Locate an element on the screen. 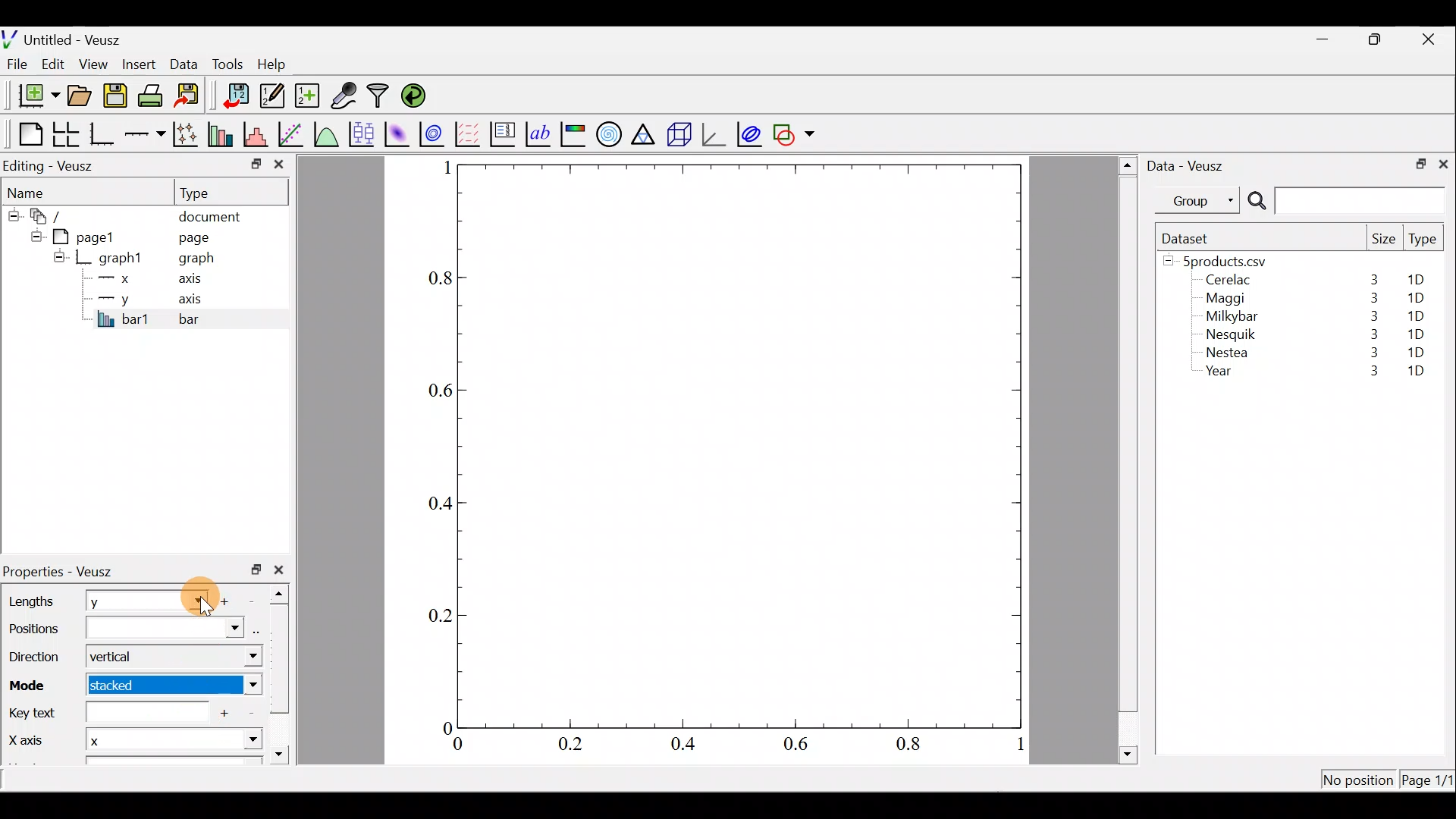 The height and width of the screenshot is (819, 1456). close is located at coordinates (282, 570).